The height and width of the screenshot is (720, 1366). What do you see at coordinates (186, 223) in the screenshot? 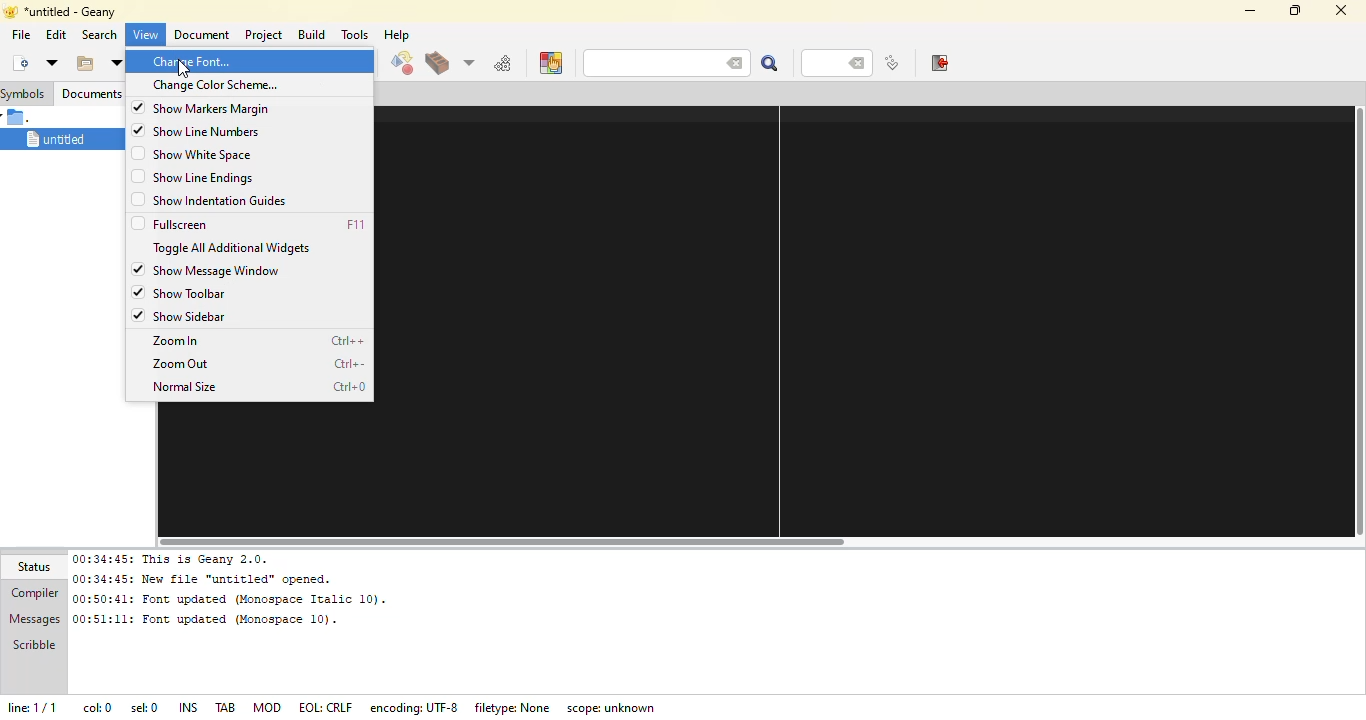
I see `fullscreen` at bounding box center [186, 223].